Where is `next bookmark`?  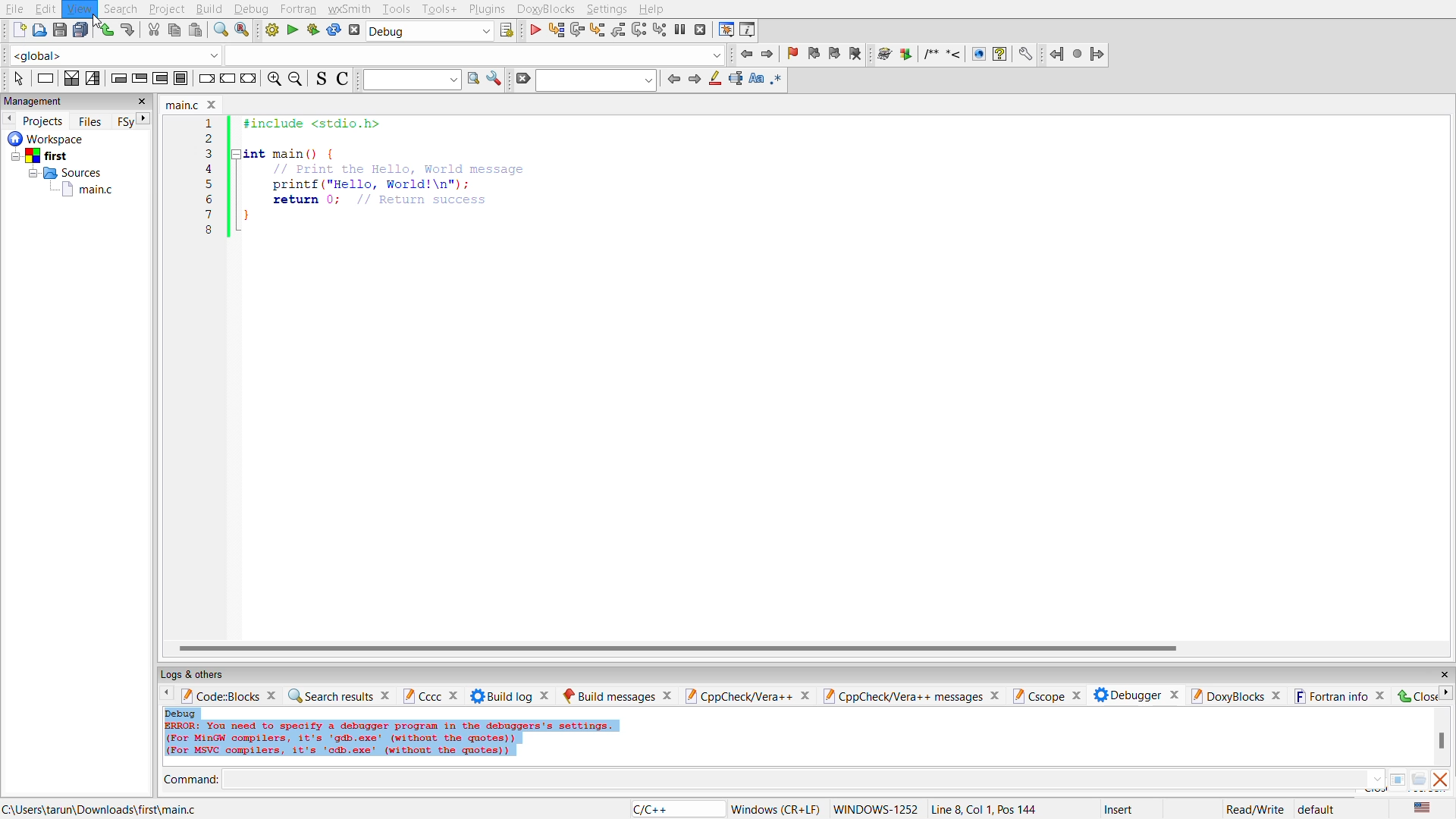 next bookmark is located at coordinates (836, 55).